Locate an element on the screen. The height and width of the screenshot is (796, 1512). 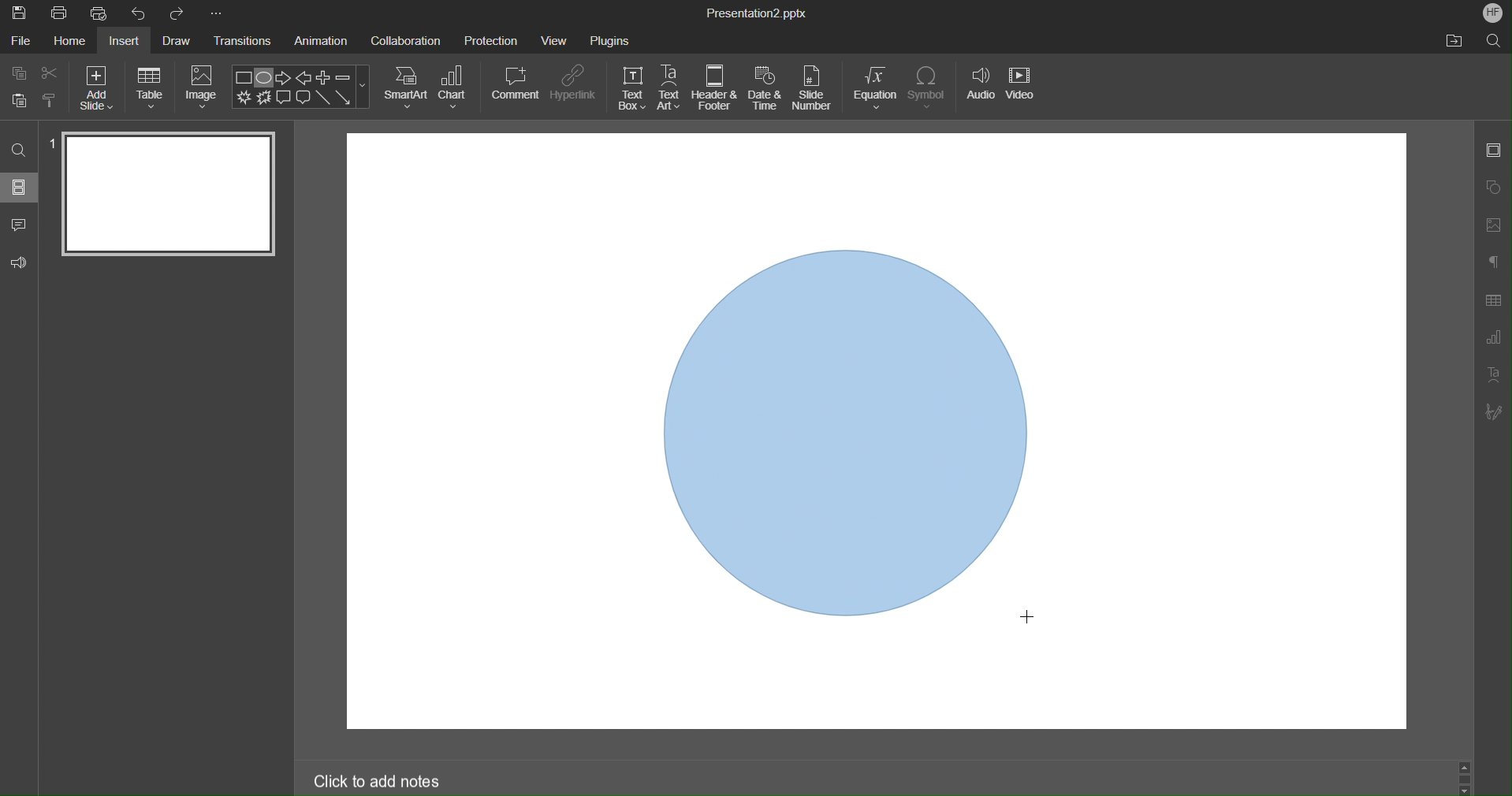
Open File Location is located at coordinates (1454, 42).